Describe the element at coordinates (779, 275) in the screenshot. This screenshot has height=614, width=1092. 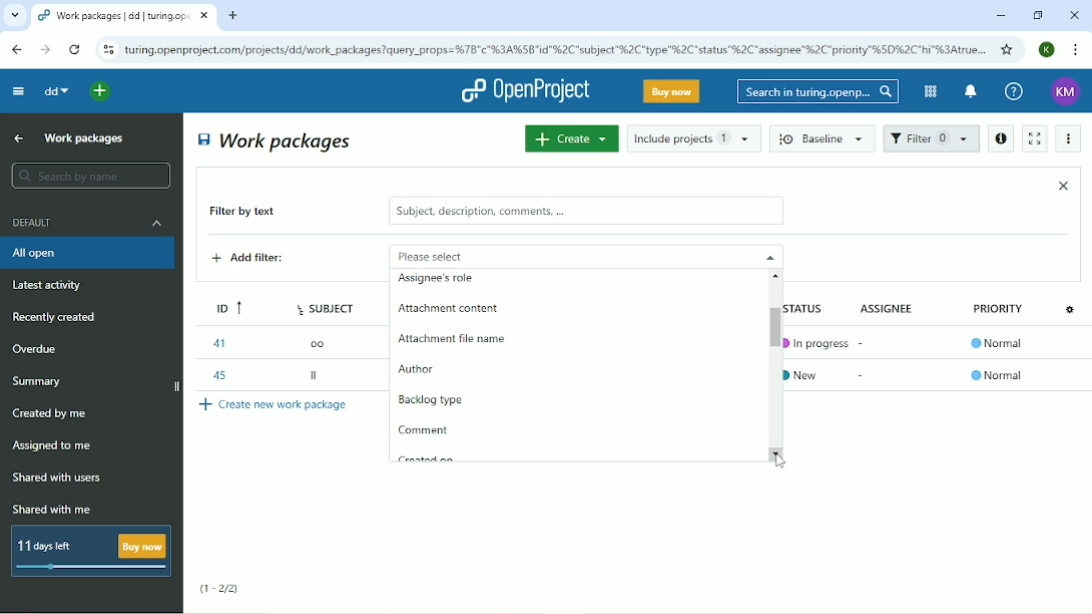
I see `scroll up` at that location.